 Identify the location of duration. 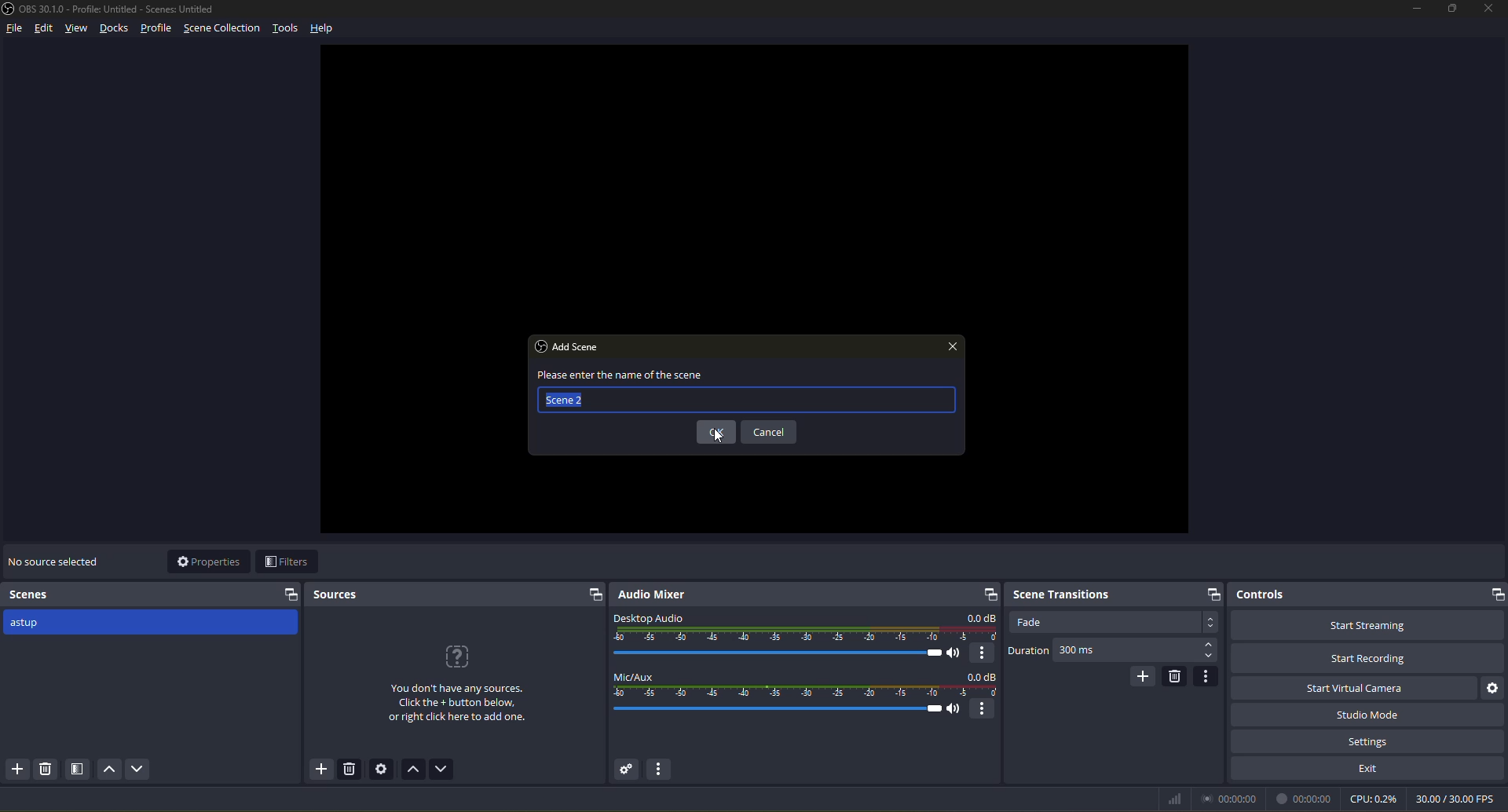
(1029, 651).